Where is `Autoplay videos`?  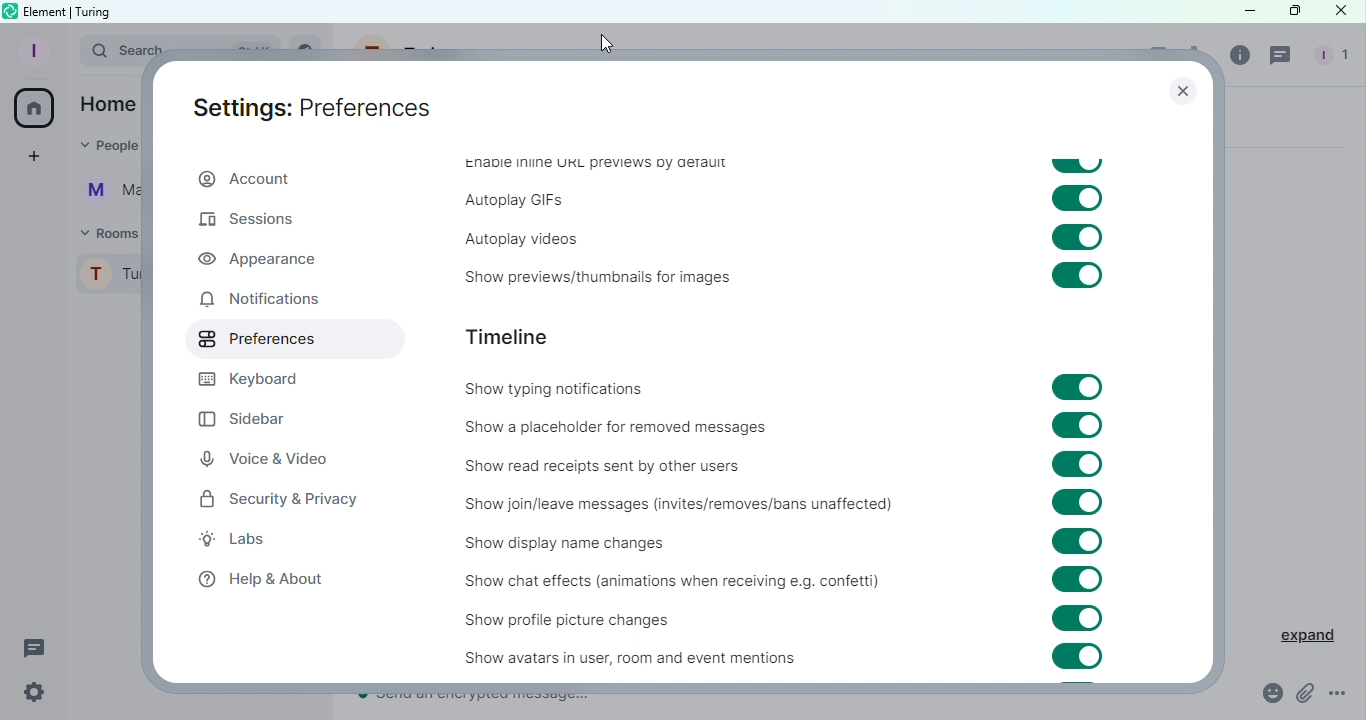 Autoplay videos is located at coordinates (511, 235).